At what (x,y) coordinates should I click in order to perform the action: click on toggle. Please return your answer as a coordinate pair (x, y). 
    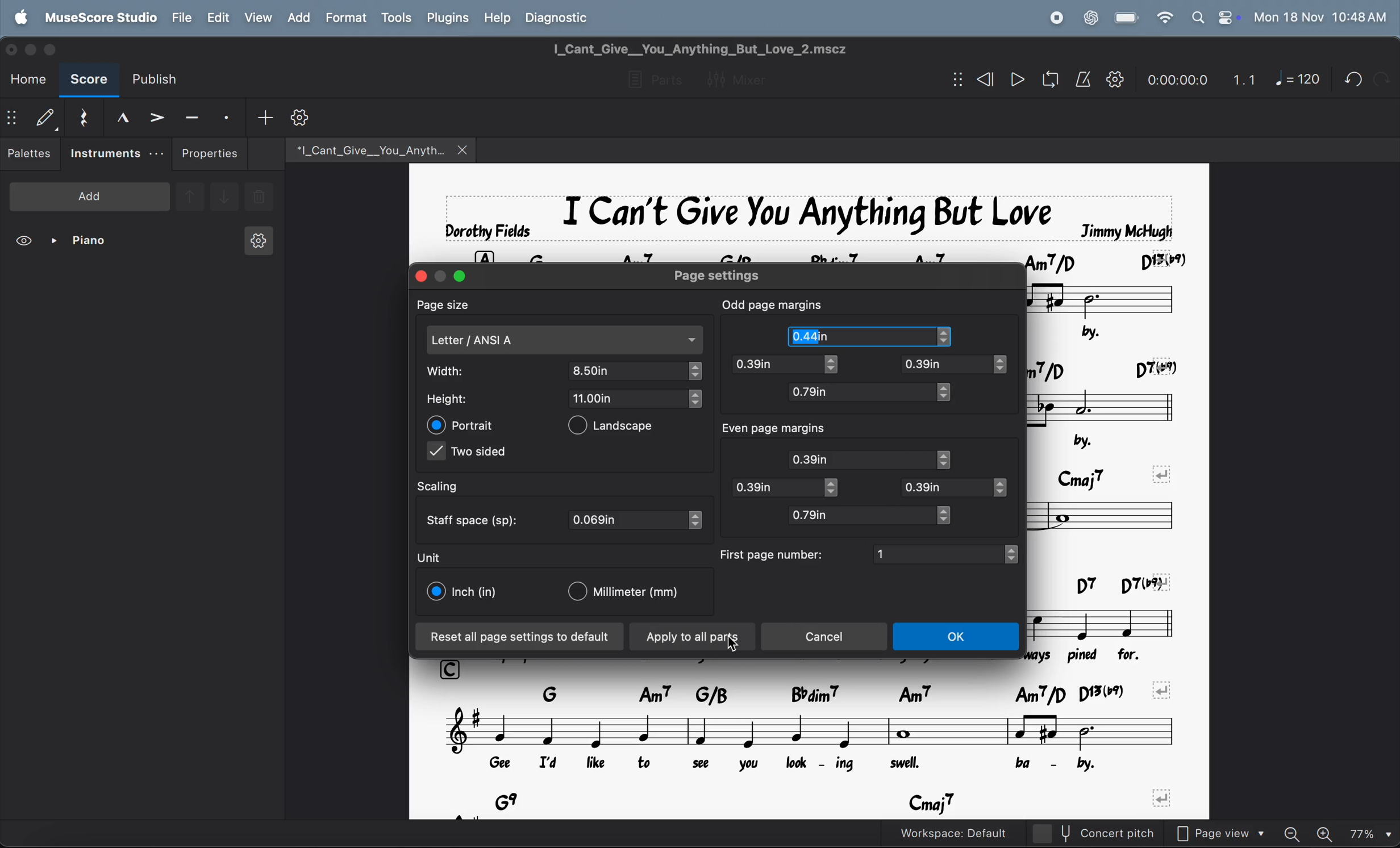
    Looking at the image, I should click on (1016, 554).